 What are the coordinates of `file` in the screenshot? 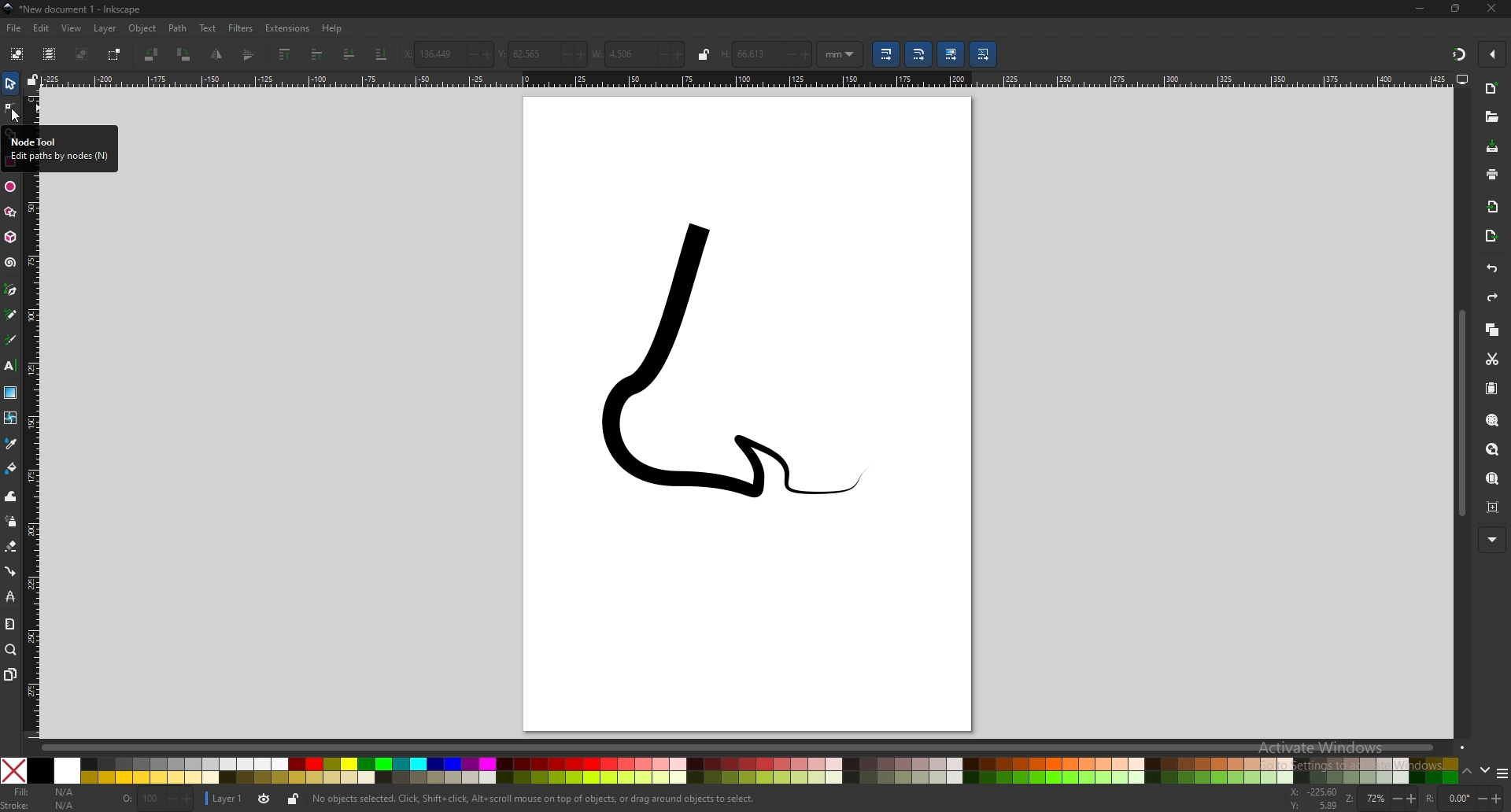 It's located at (14, 28).